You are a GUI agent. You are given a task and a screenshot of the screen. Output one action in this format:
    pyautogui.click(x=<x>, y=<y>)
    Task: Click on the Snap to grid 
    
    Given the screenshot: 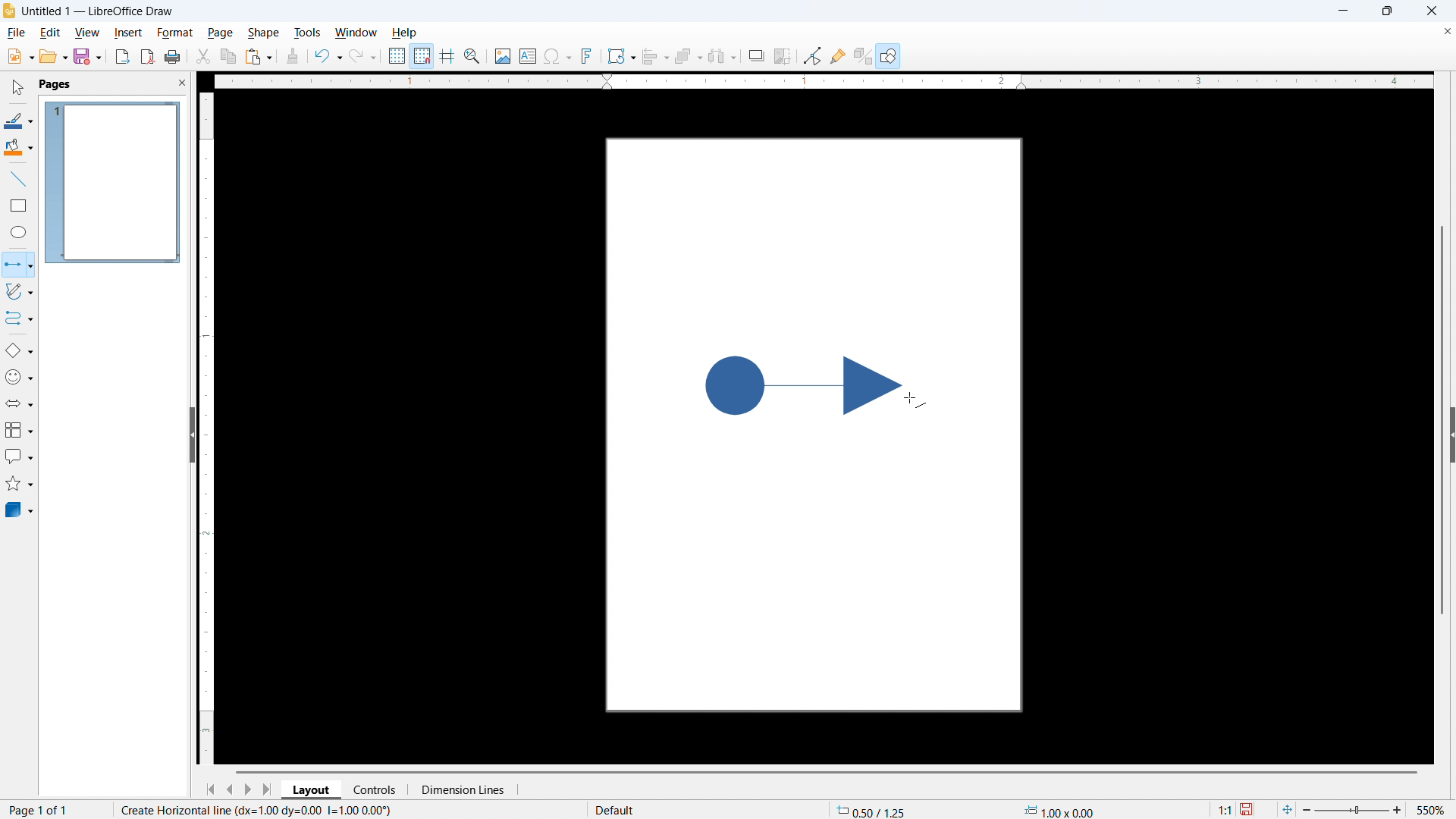 What is the action you would take?
    pyautogui.click(x=422, y=56)
    